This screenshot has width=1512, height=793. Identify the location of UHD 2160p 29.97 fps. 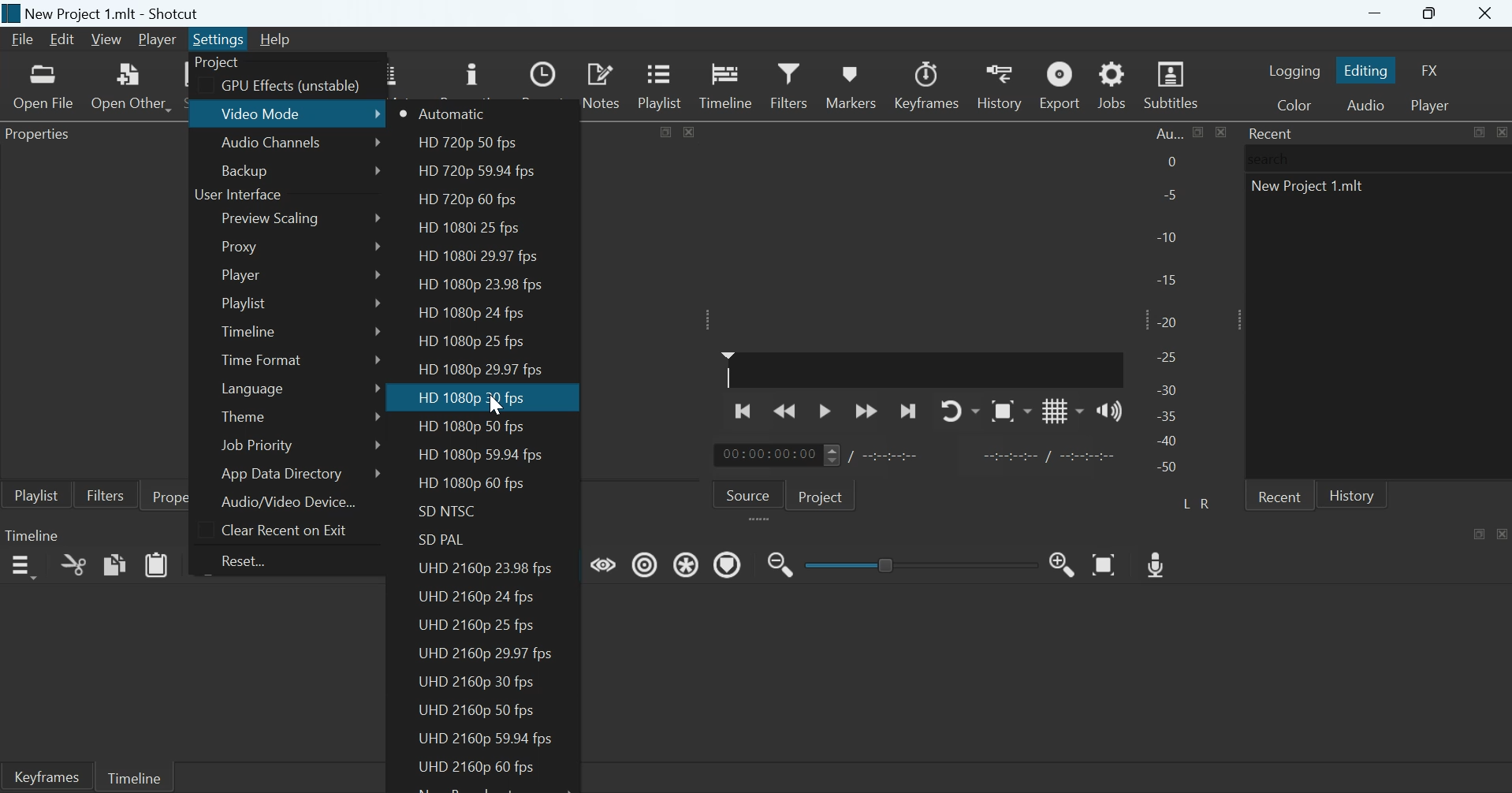
(486, 653).